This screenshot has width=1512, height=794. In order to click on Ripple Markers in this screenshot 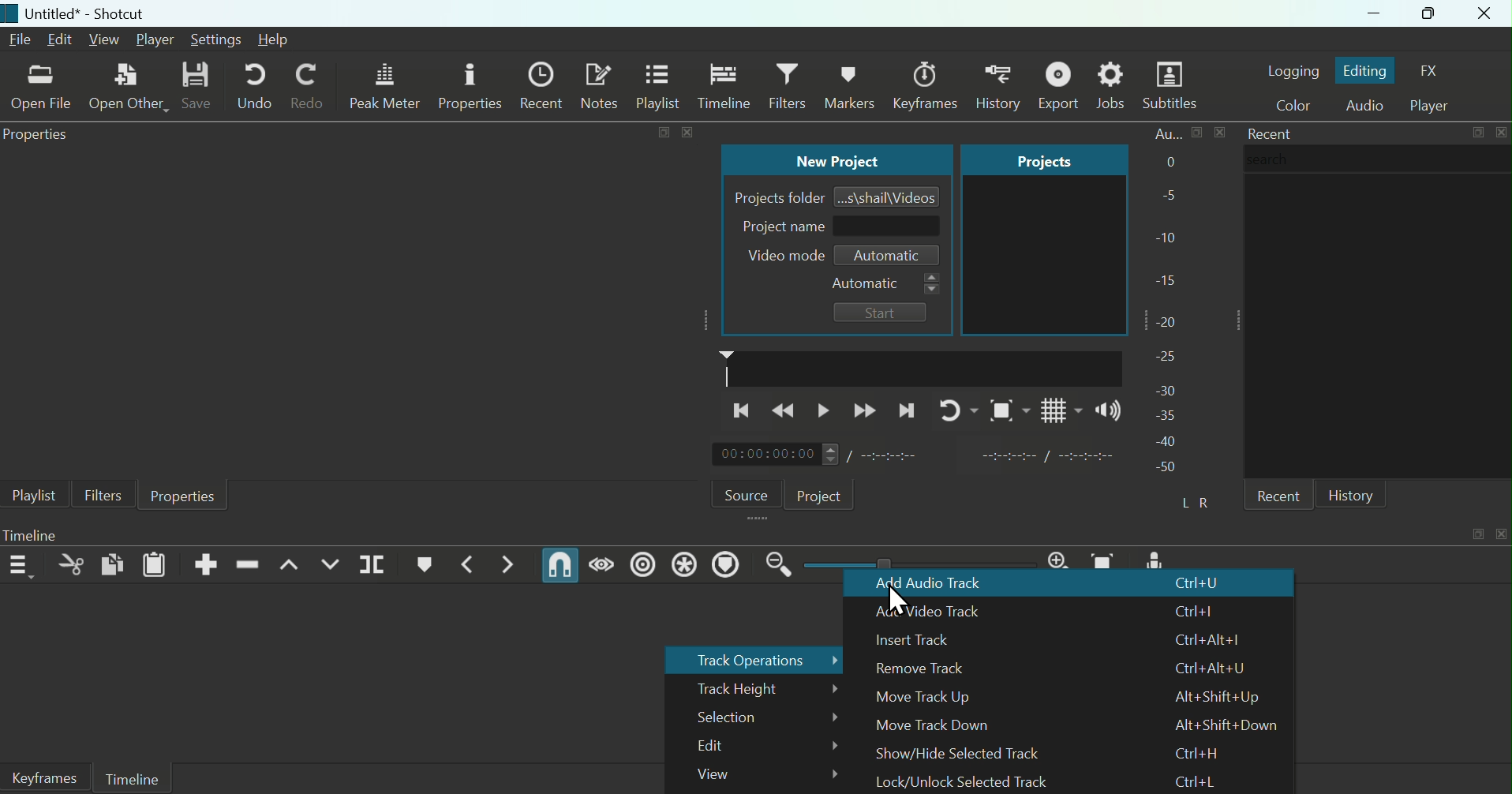, I will do `click(728, 566)`.